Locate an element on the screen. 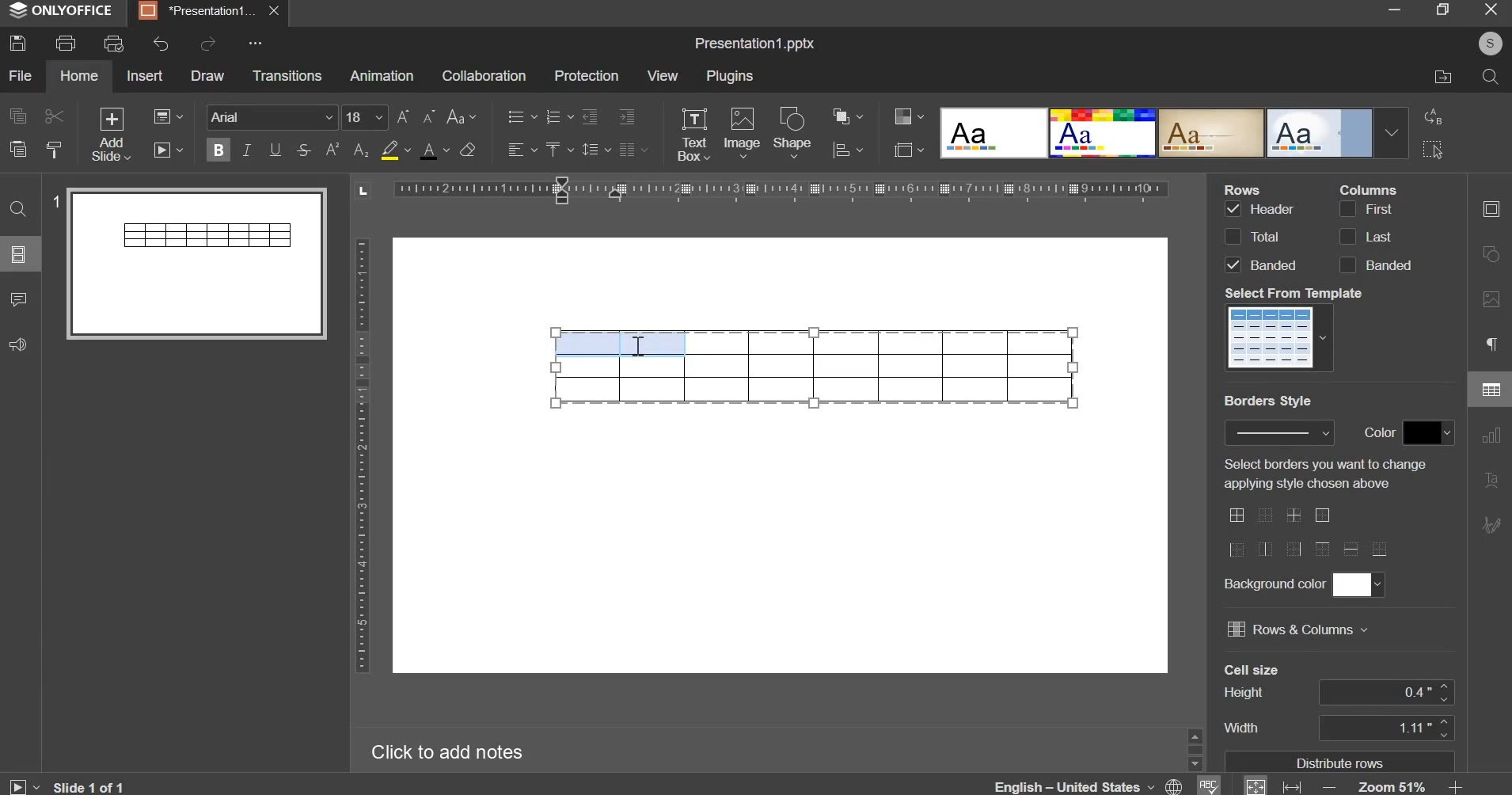 The width and height of the screenshot is (1512, 795). Slide 1 of 1 is located at coordinates (66, 786).